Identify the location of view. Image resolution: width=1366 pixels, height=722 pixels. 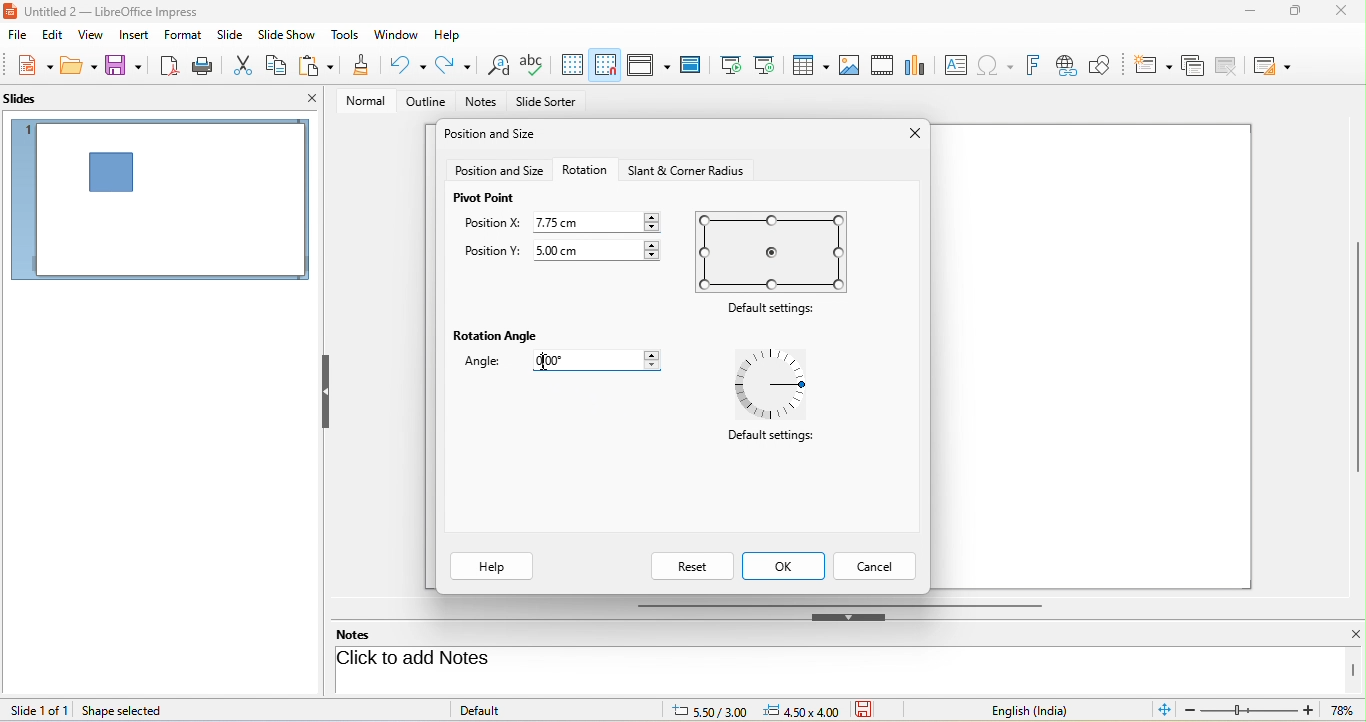
(88, 34).